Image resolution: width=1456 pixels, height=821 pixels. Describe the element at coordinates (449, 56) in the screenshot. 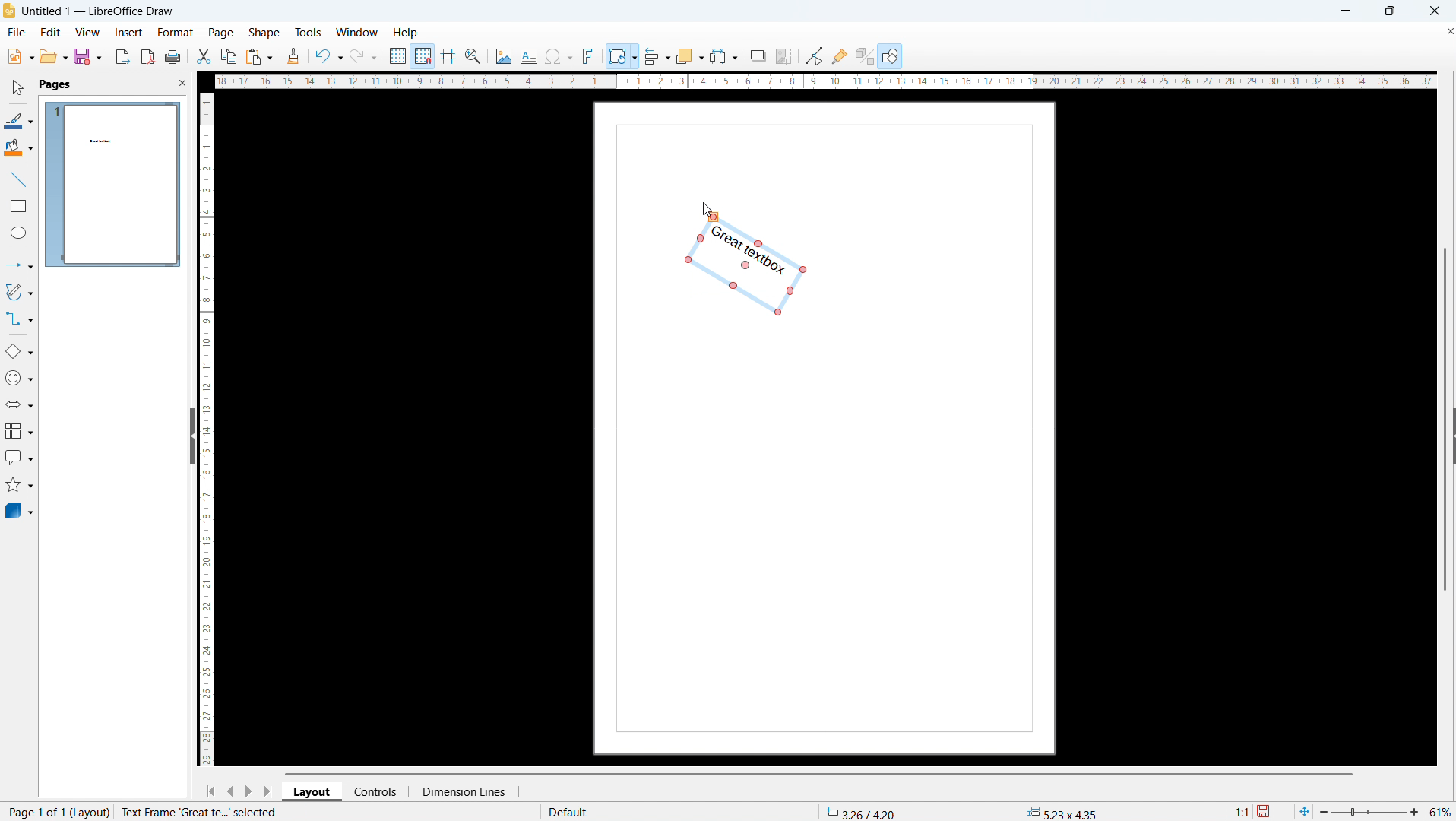

I see `guidelines while moving` at that location.